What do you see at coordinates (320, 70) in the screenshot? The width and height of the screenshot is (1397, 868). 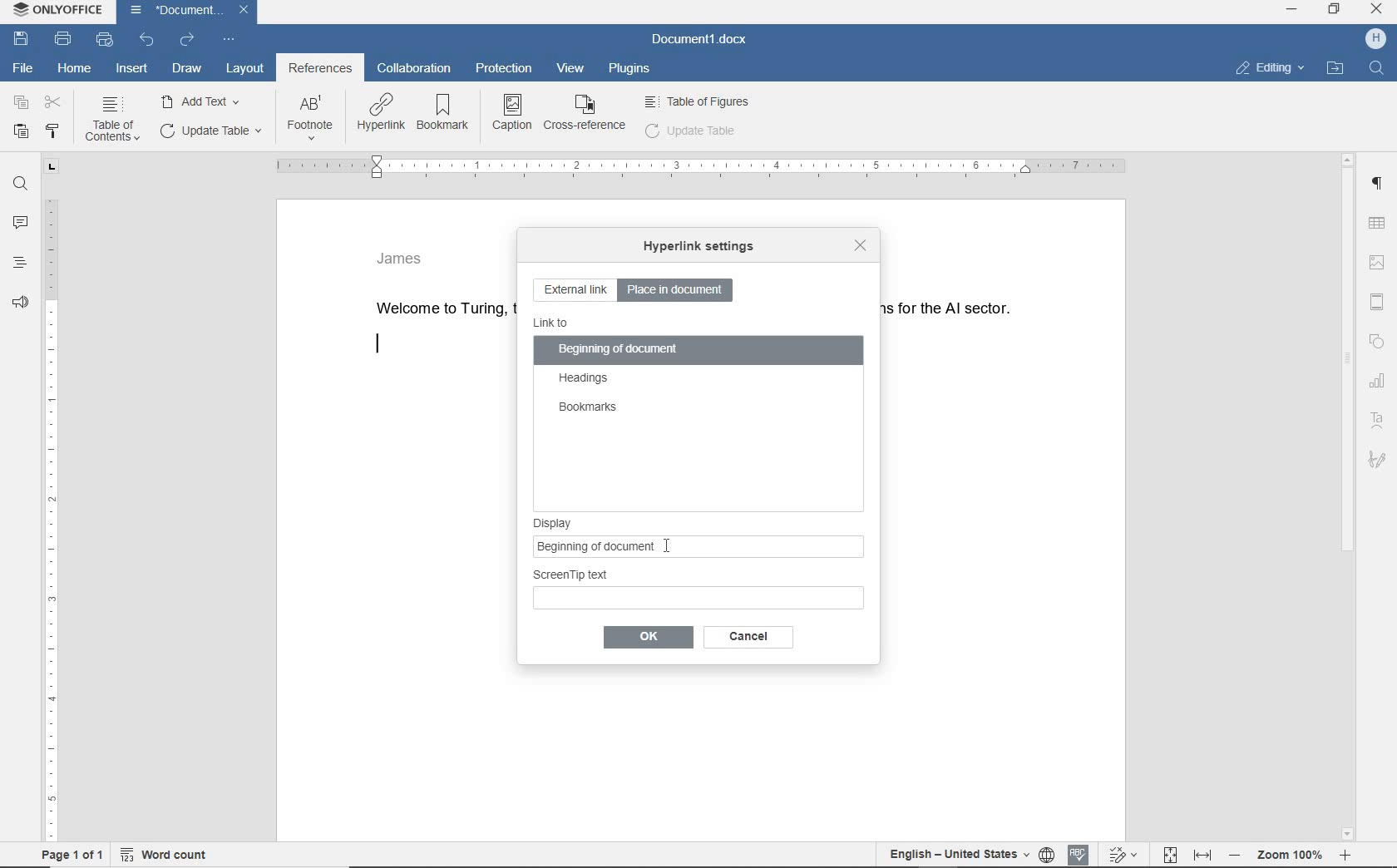 I see `references` at bounding box center [320, 70].